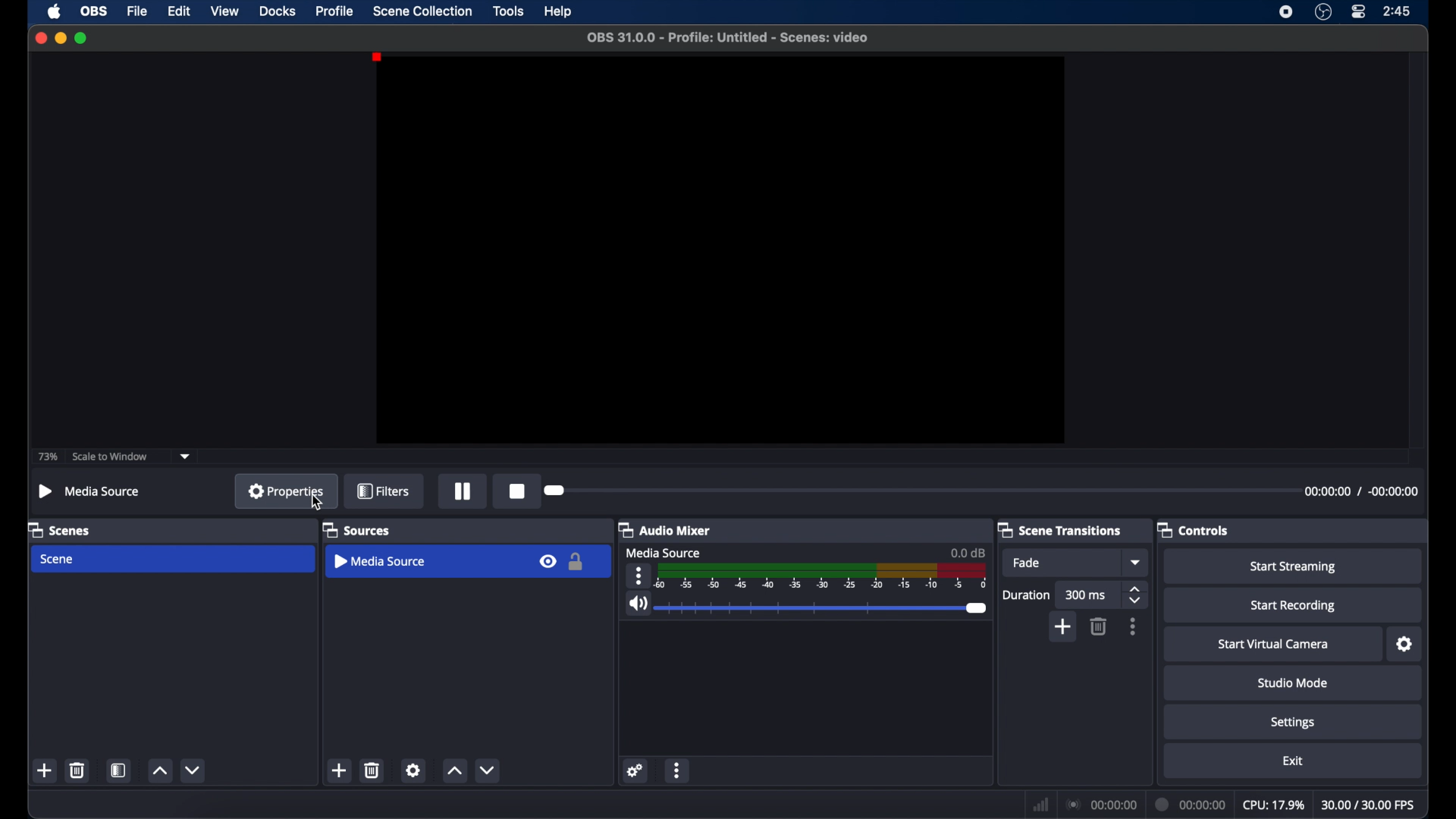 The image size is (1456, 819). What do you see at coordinates (224, 11) in the screenshot?
I see `view` at bounding box center [224, 11].